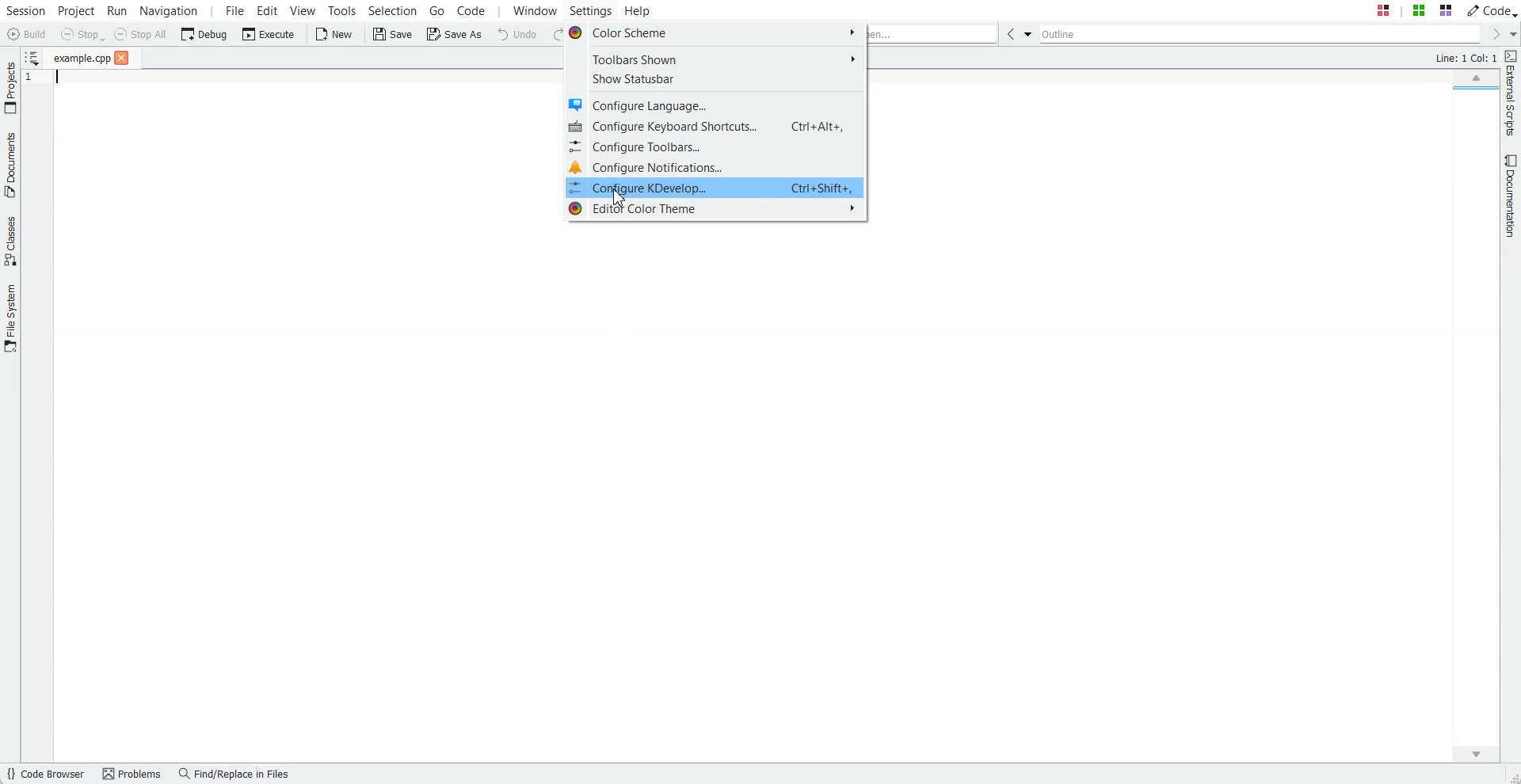 The width and height of the screenshot is (1521, 784). What do you see at coordinates (1511, 94) in the screenshot?
I see `External Script` at bounding box center [1511, 94].